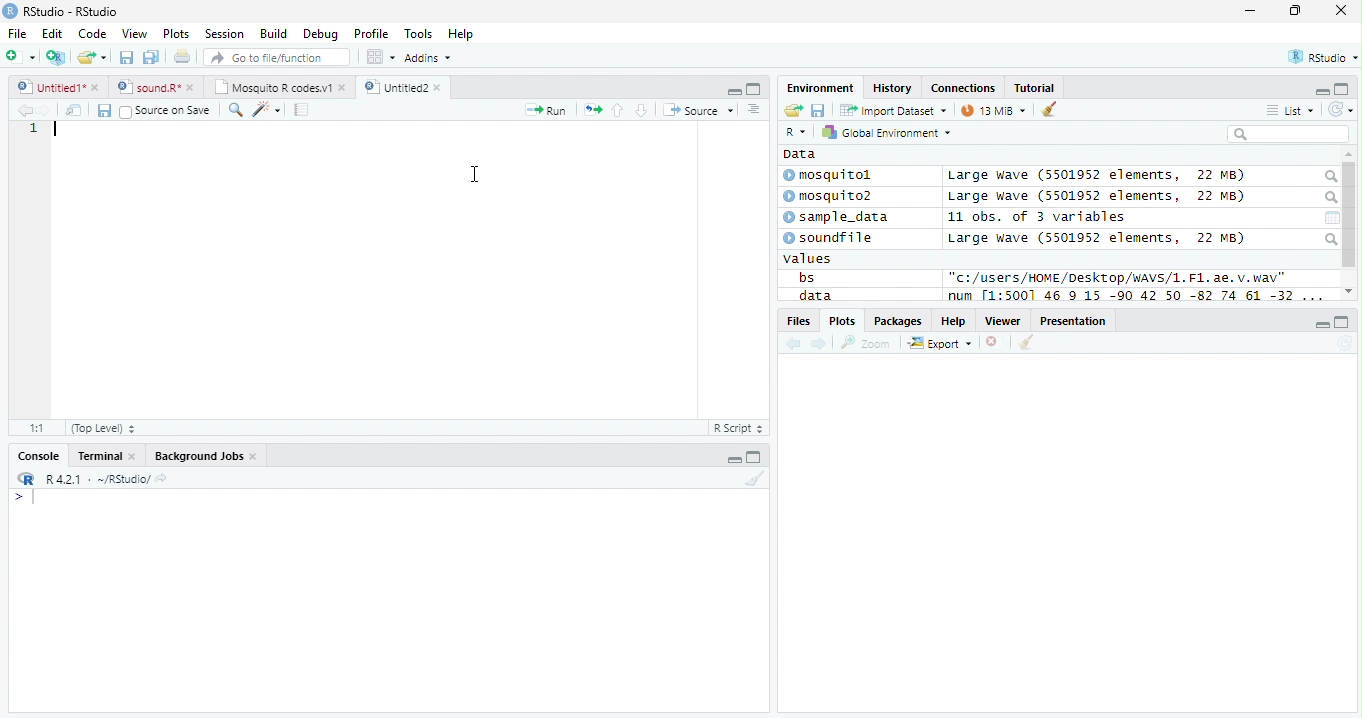 The width and height of the screenshot is (1362, 718). Describe the element at coordinates (753, 479) in the screenshot. I see `clear workspace` at that location.